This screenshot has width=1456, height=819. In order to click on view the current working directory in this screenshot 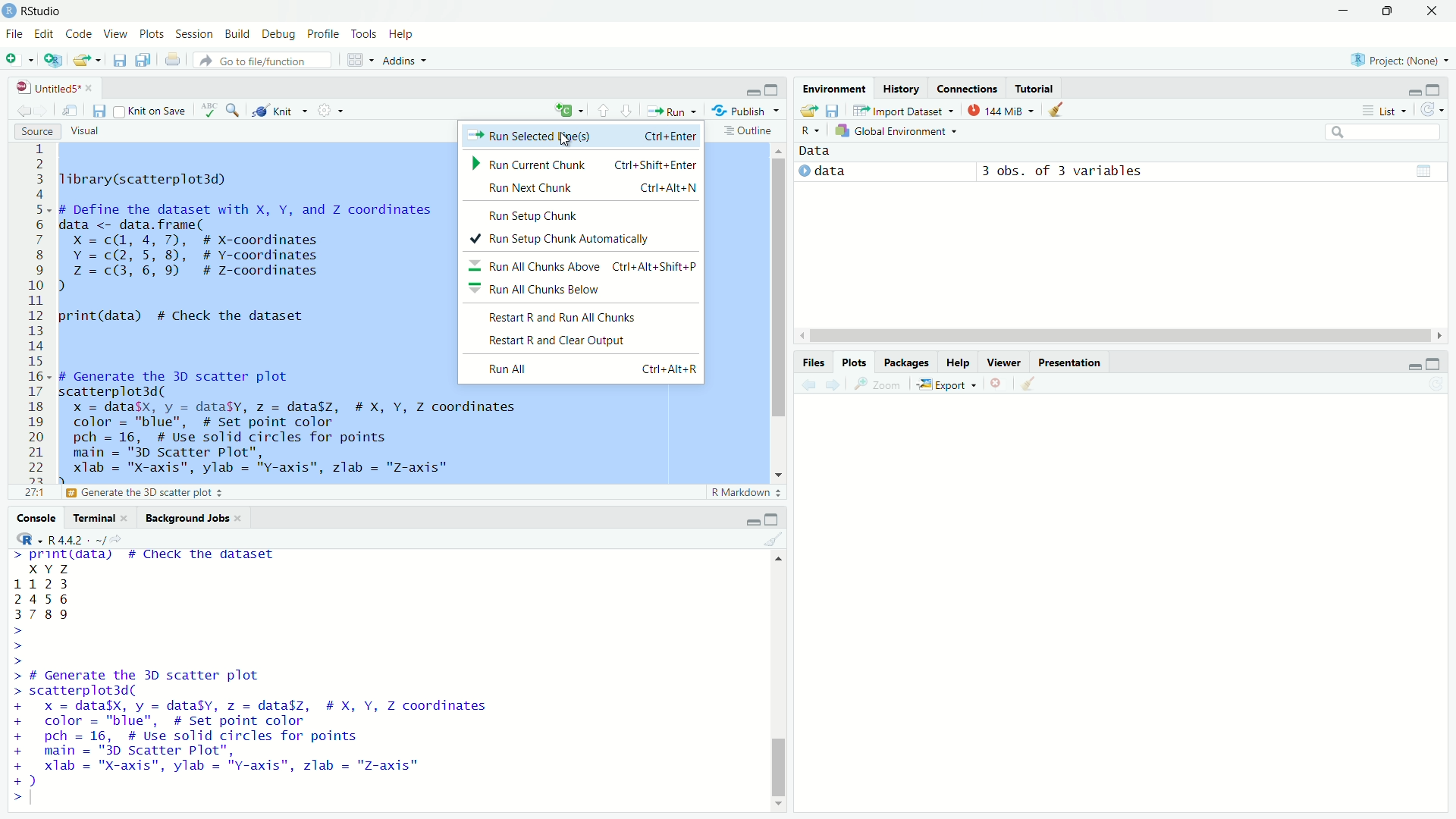, I will do `click(126, 539)`.